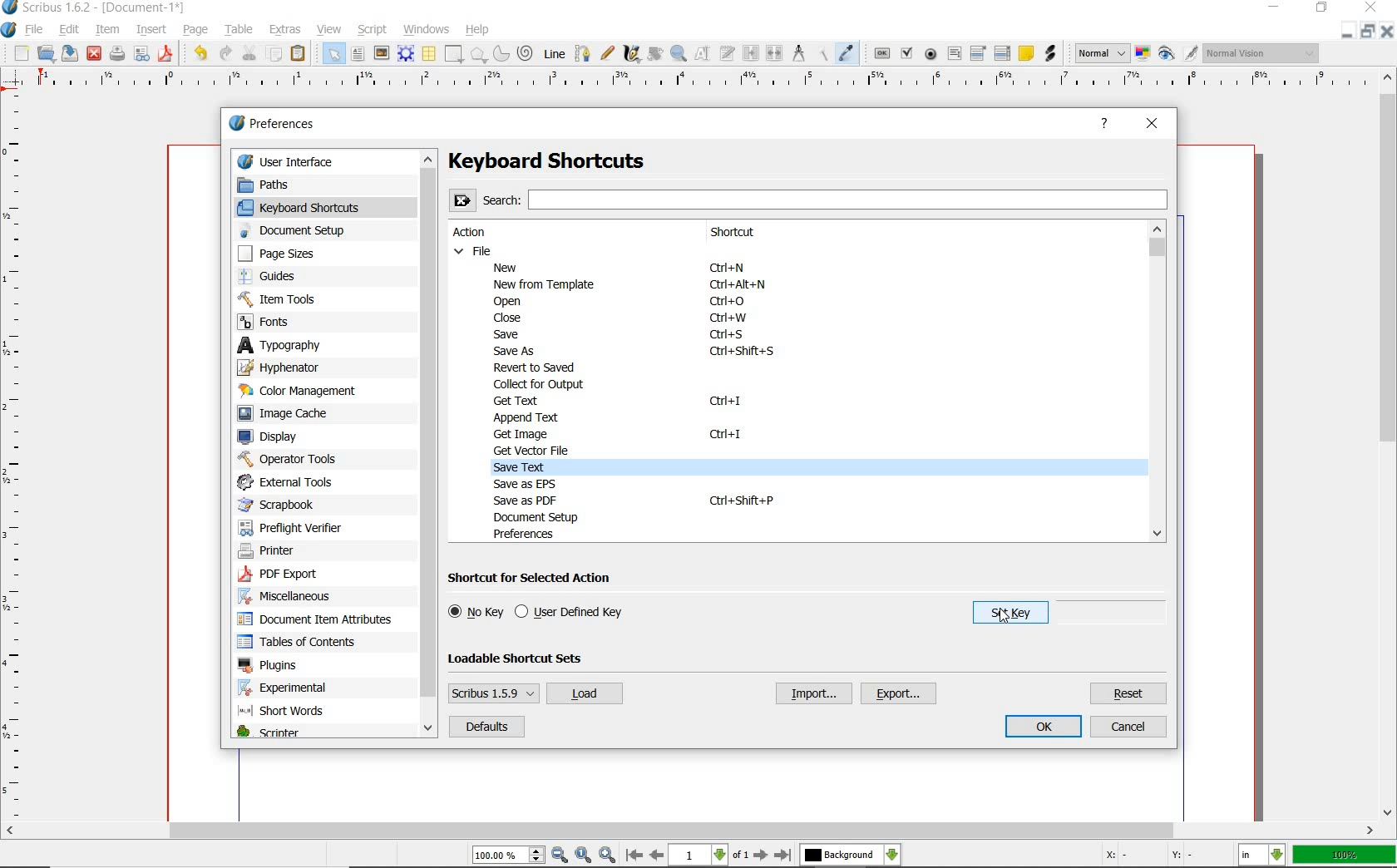 Image resolution: width=1397 pixels, height=868 pixels. I want to click on Bezier curve, so click(583, 54).